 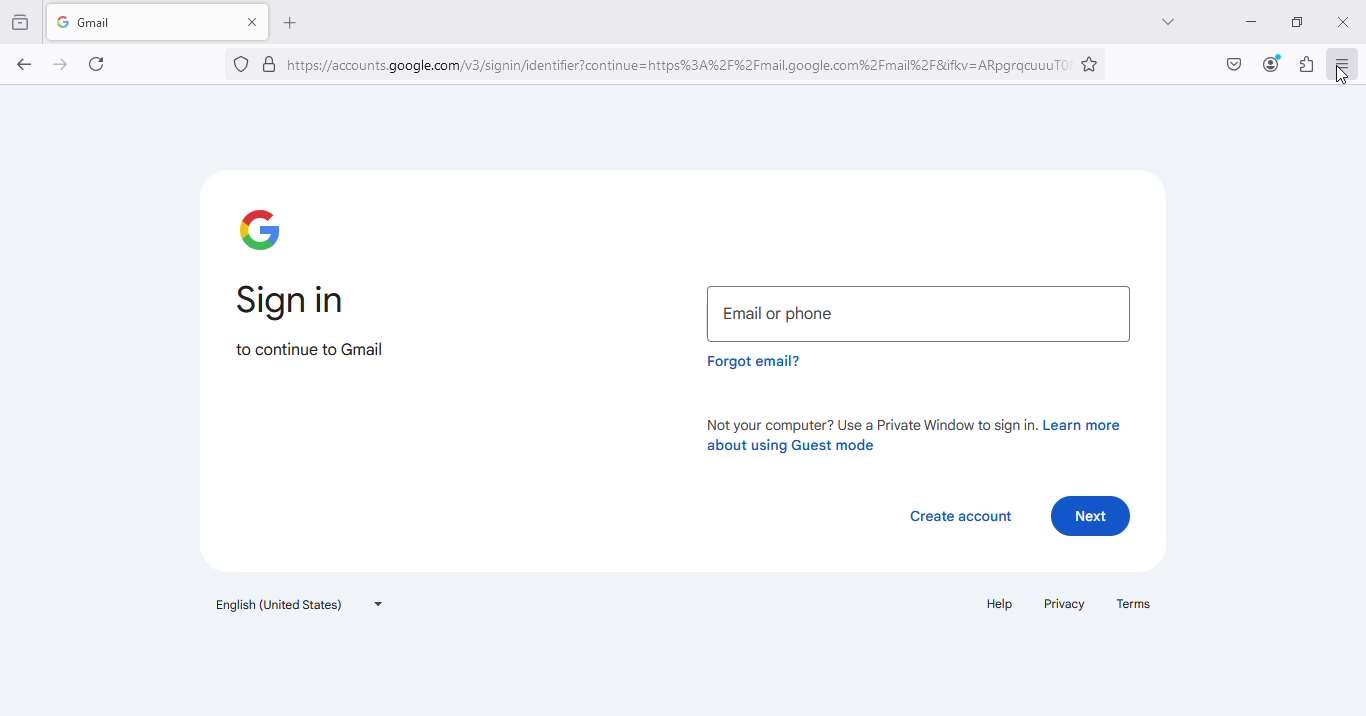 What do you see at coordinates (301, 604) in the screenshot?
I see `text language` at bounding box center [301, 604].